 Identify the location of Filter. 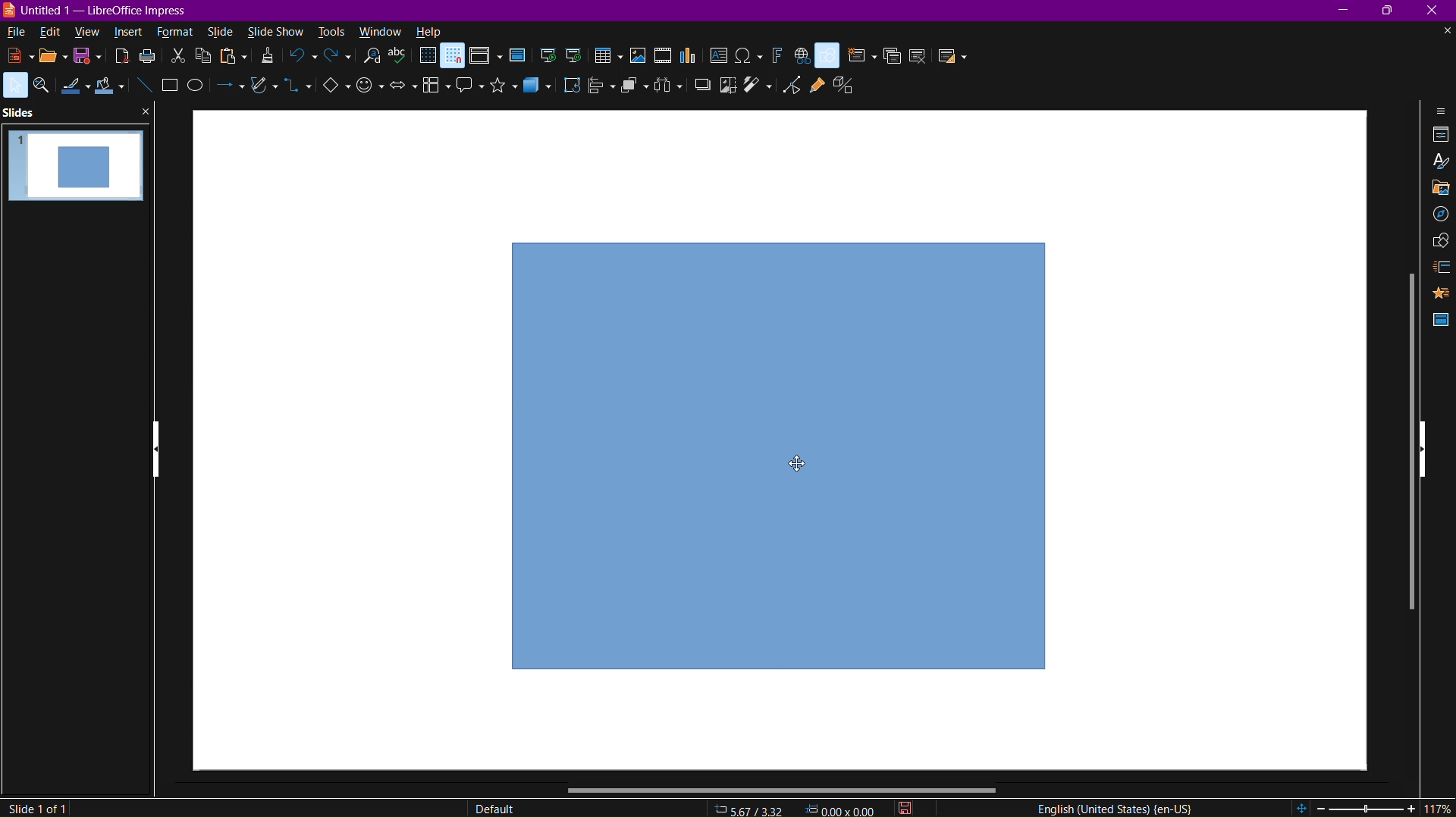
(761, 88).